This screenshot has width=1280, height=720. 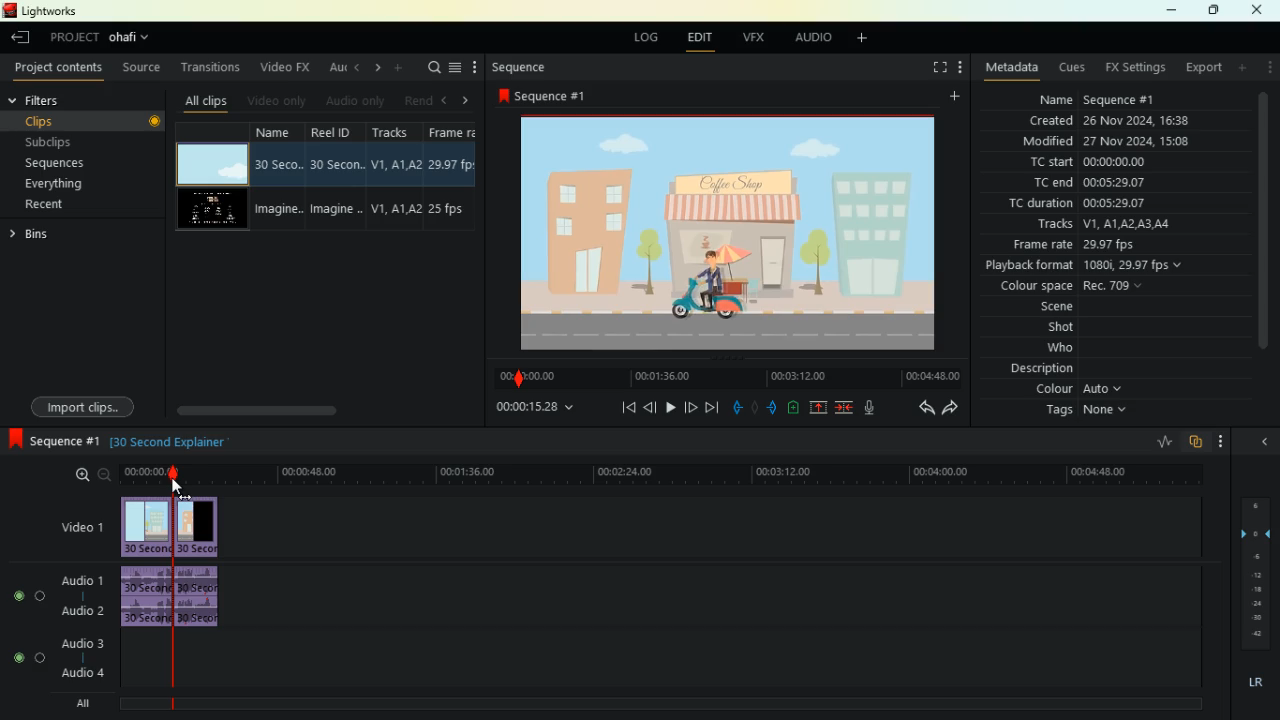 What do you see at coordinates (277, 166) in the screenshot?
I see `30 seco` at bounding box center [277, 166].